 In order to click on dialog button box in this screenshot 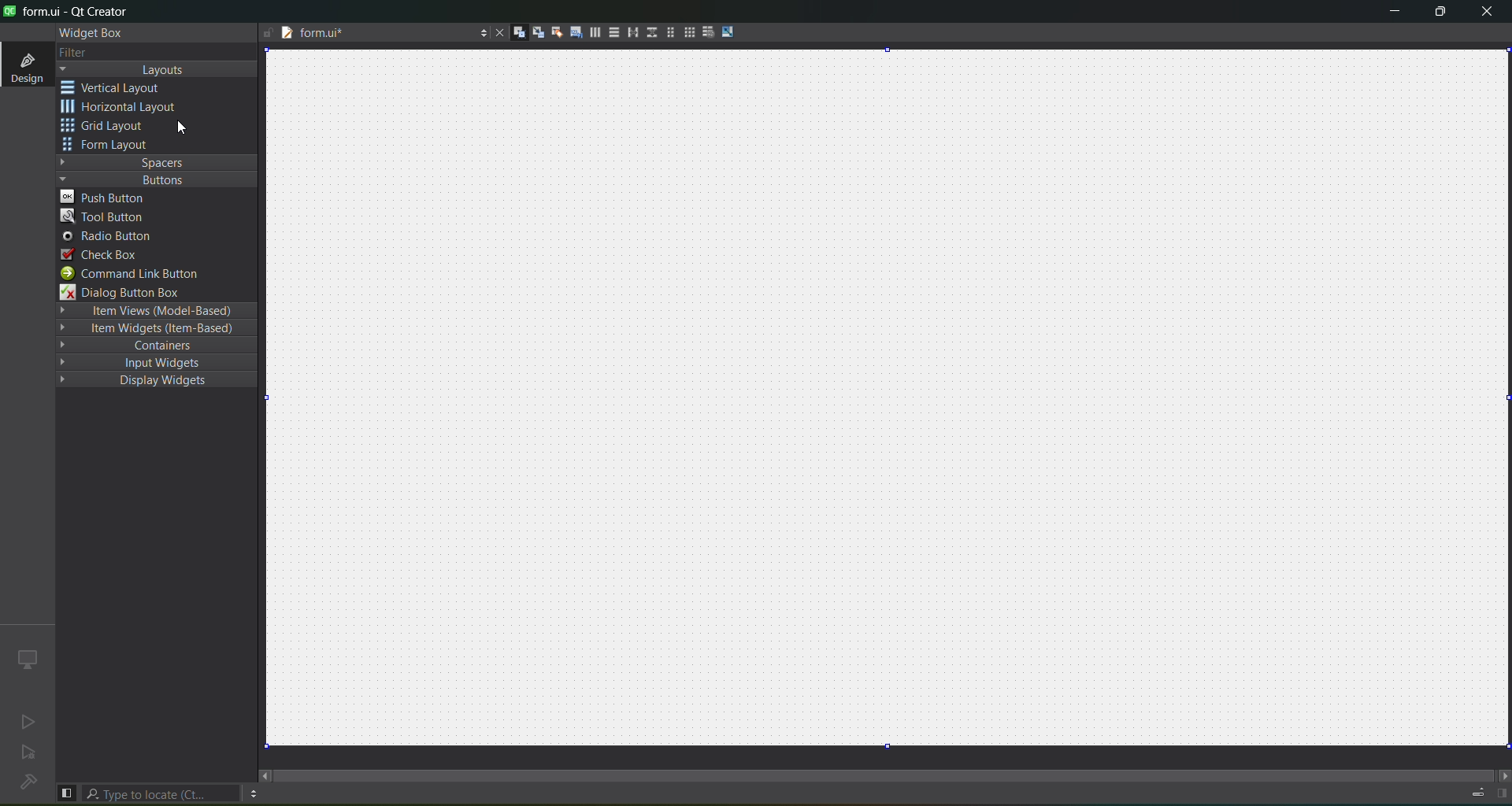, I will do `click(130, 293)`.